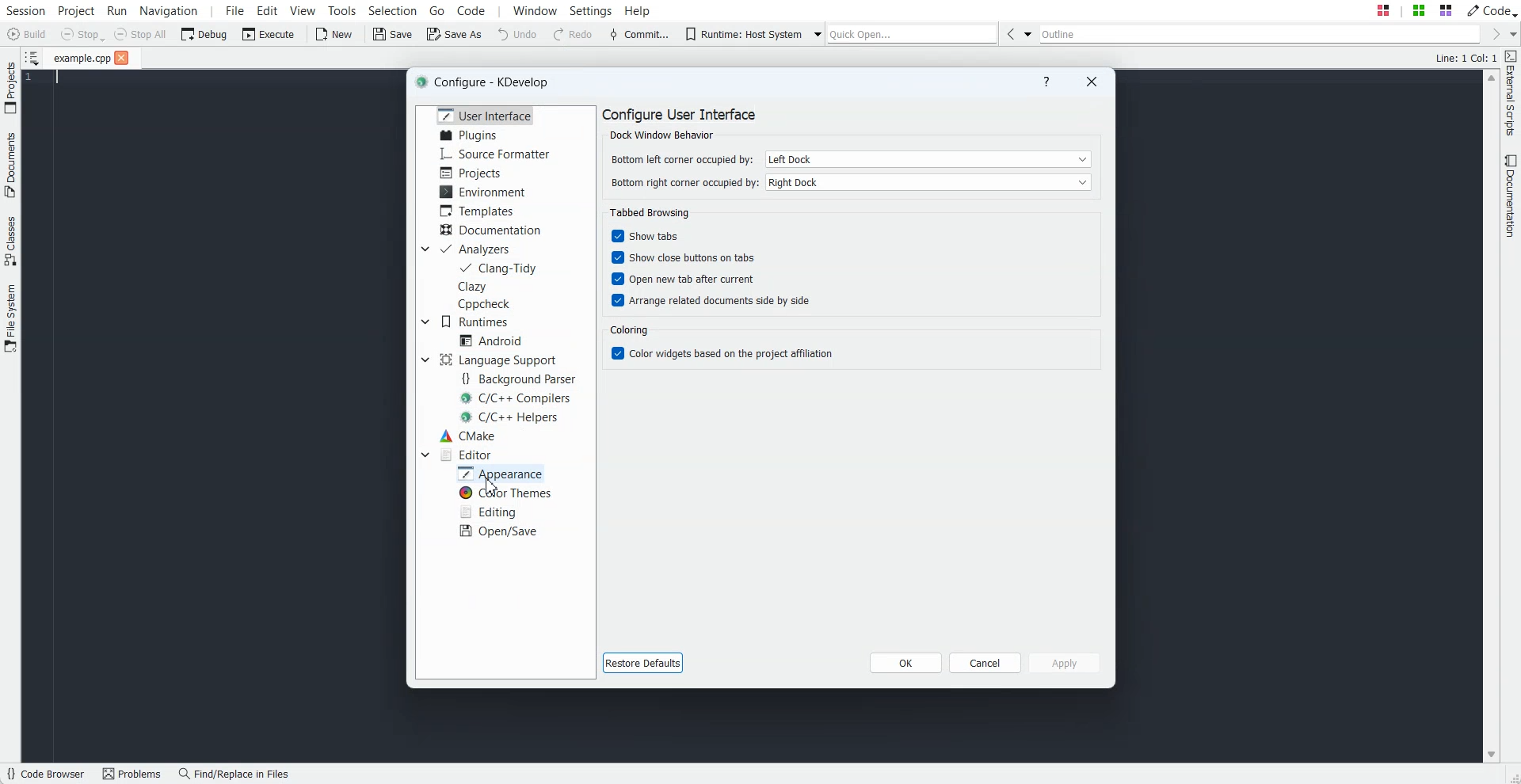 The image size is (1521, 784). I want to click on C/C++ Compilers, so click(517, 398).